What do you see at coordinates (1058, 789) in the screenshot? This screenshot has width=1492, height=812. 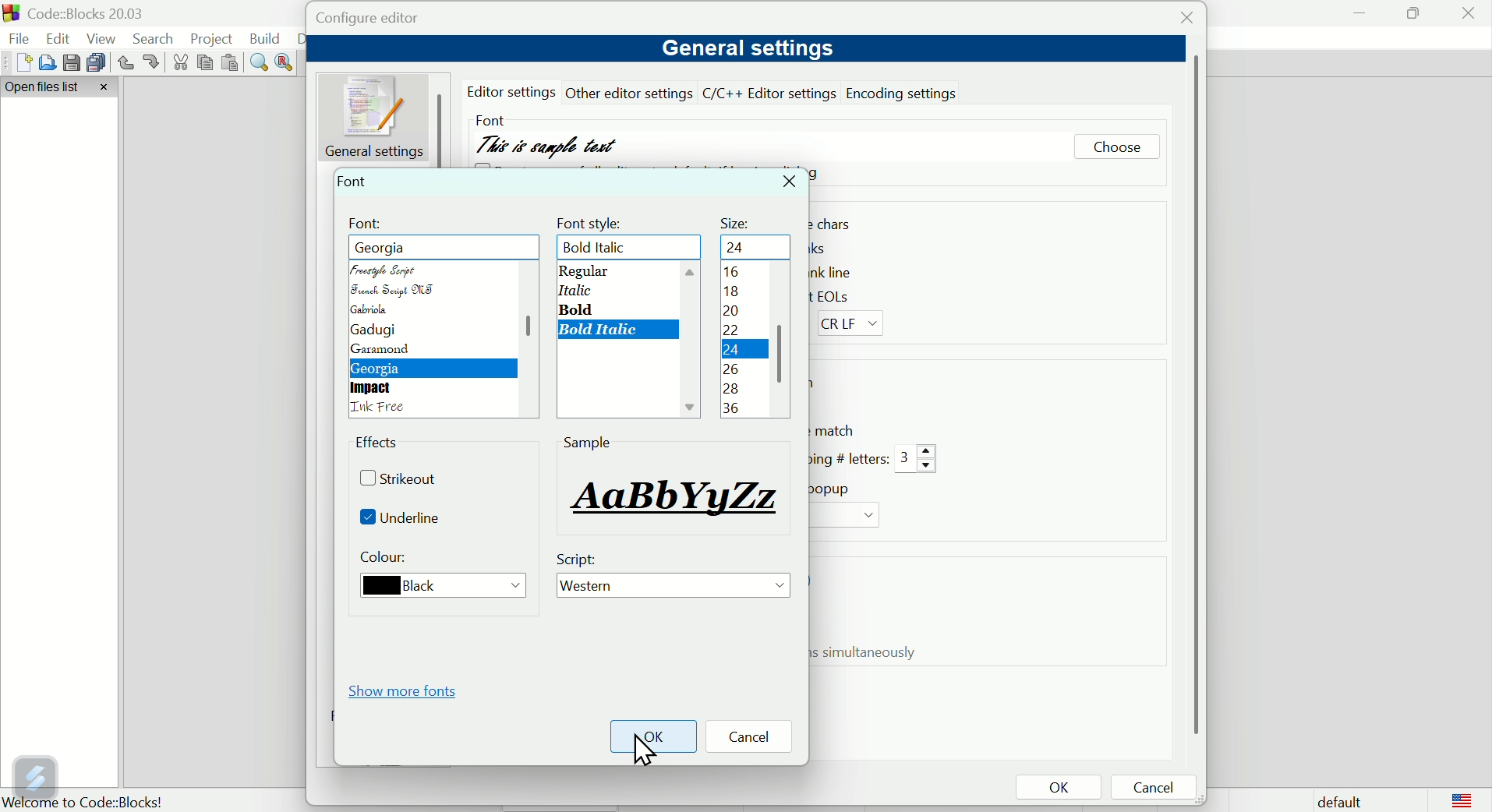 I see `OK` at bounding box center [1058, 789].